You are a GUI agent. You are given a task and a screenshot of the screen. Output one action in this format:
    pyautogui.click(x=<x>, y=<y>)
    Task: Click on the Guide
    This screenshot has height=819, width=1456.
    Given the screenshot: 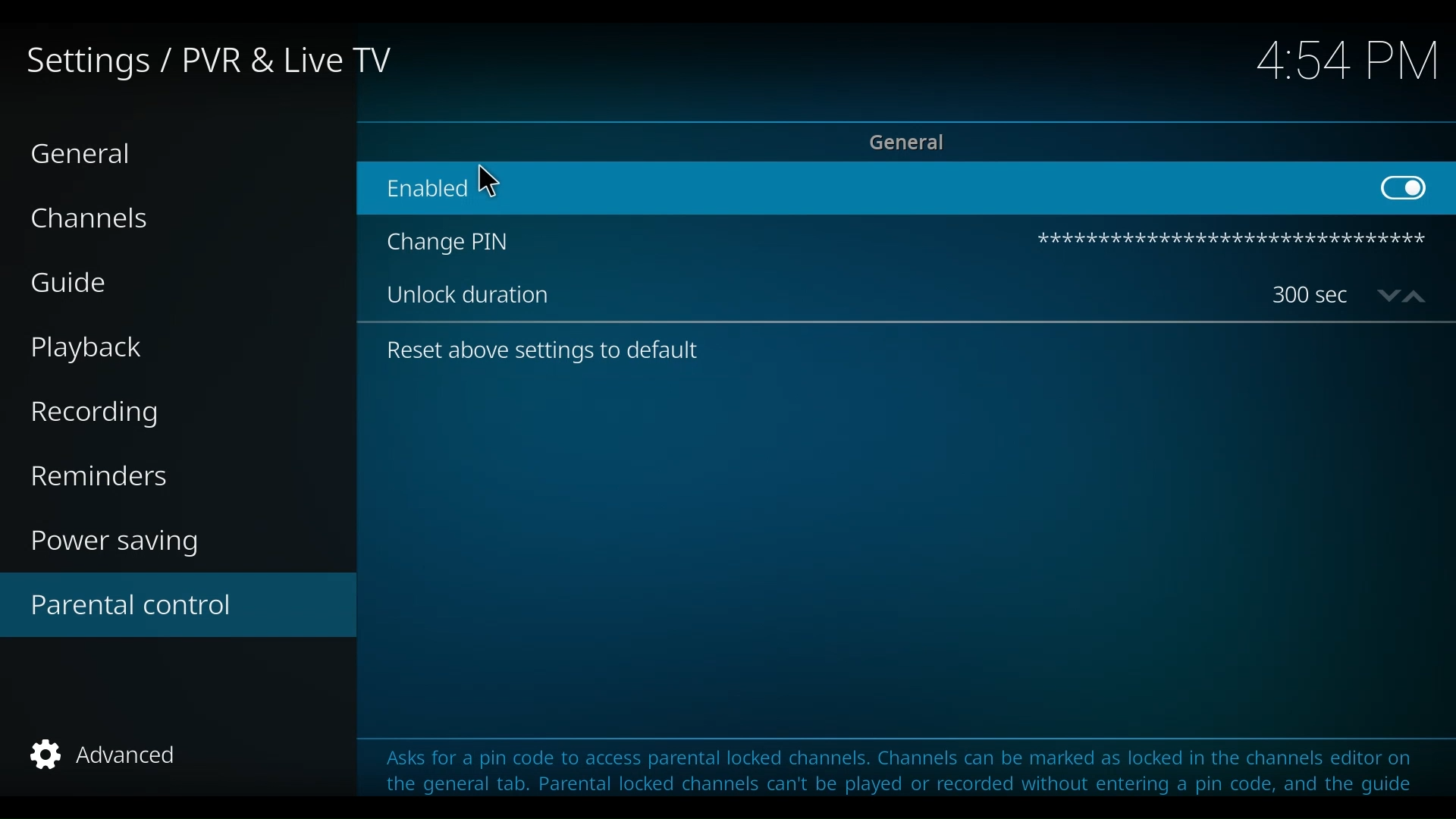 What is the action you would take?
    pyautogui.click(x=72, y=282)
    